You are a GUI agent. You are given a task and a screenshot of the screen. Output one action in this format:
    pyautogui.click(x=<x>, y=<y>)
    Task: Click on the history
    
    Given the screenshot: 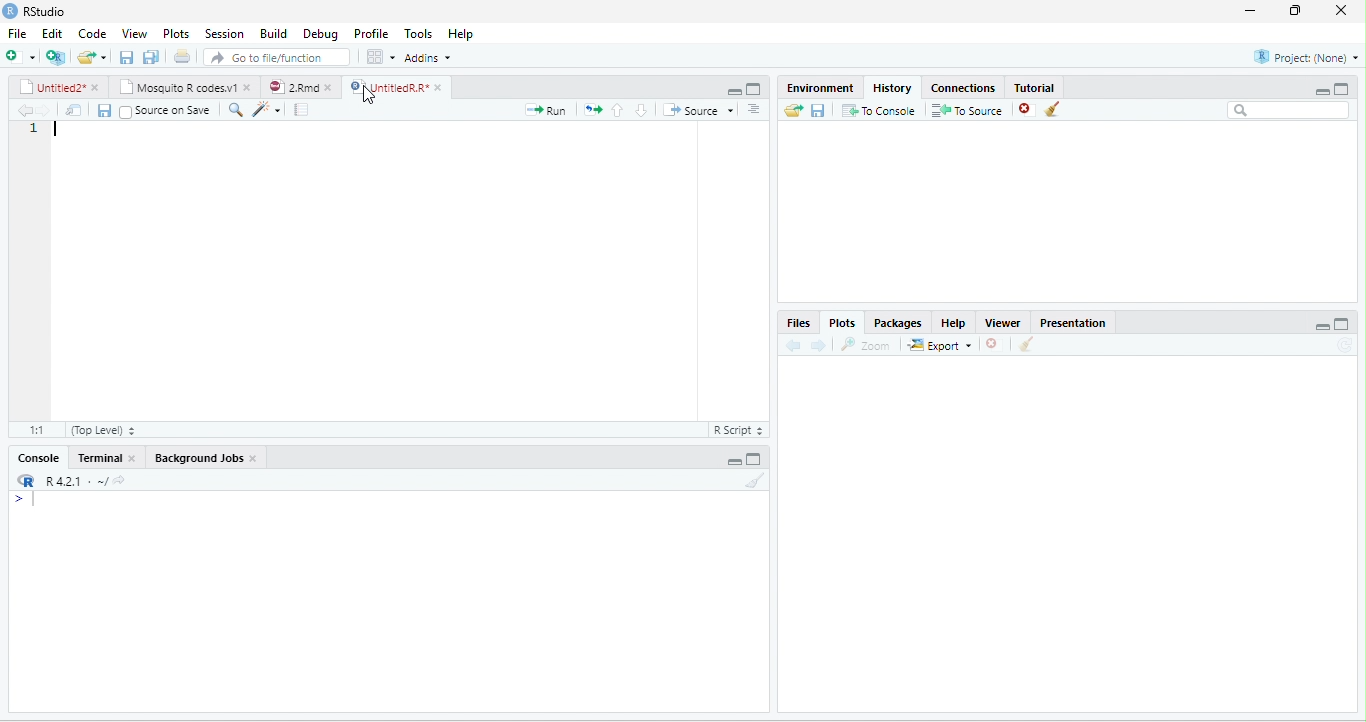 What is the action you would take?
    pyautogui.click(x=890, y=86)
    